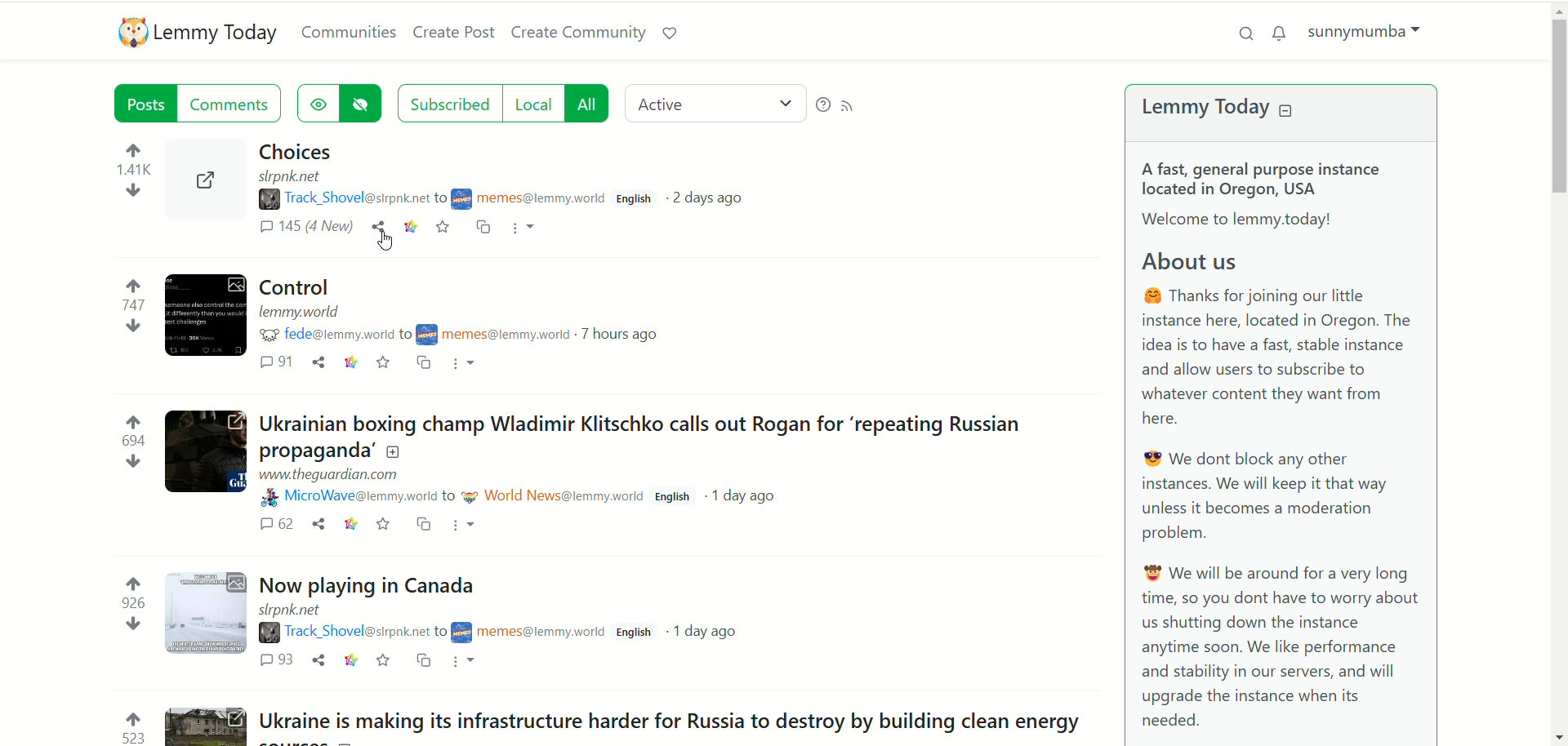 This screenshot has width=1568, height=746. Describe the element at coordinates (576, 30) in the screenshot. I see `create community` at that location.